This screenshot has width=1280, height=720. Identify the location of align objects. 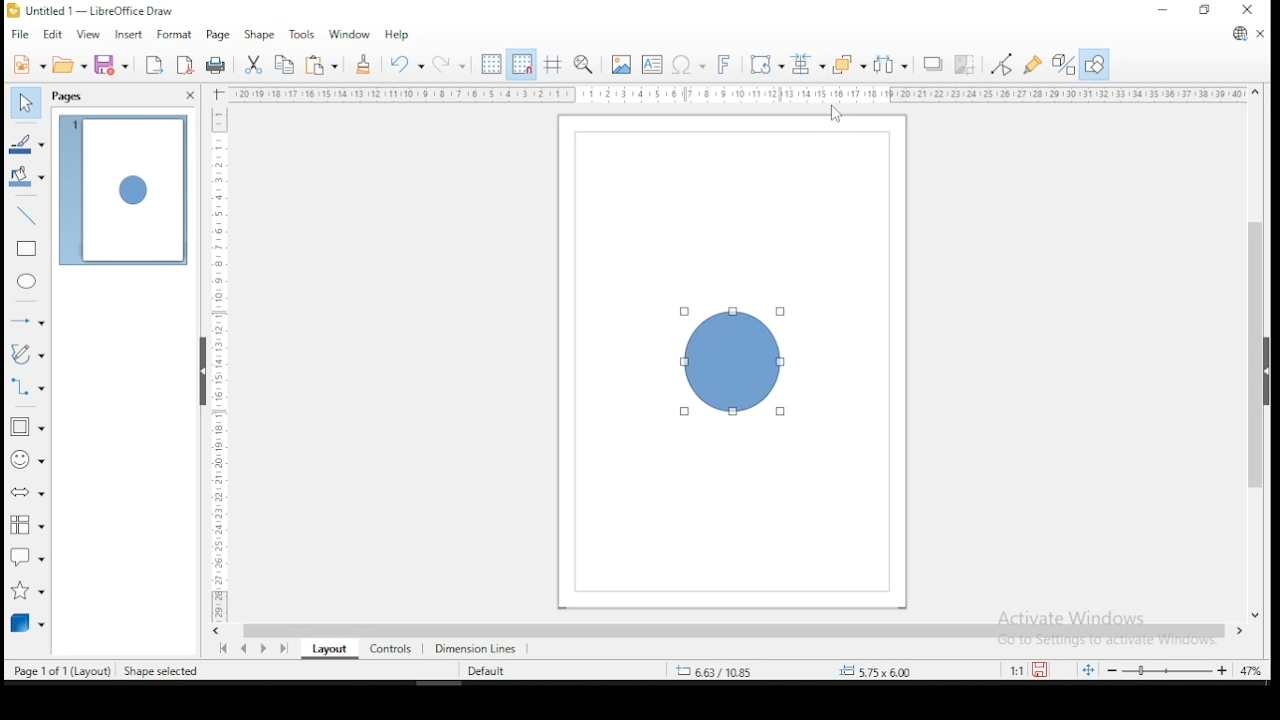
(806, 65).